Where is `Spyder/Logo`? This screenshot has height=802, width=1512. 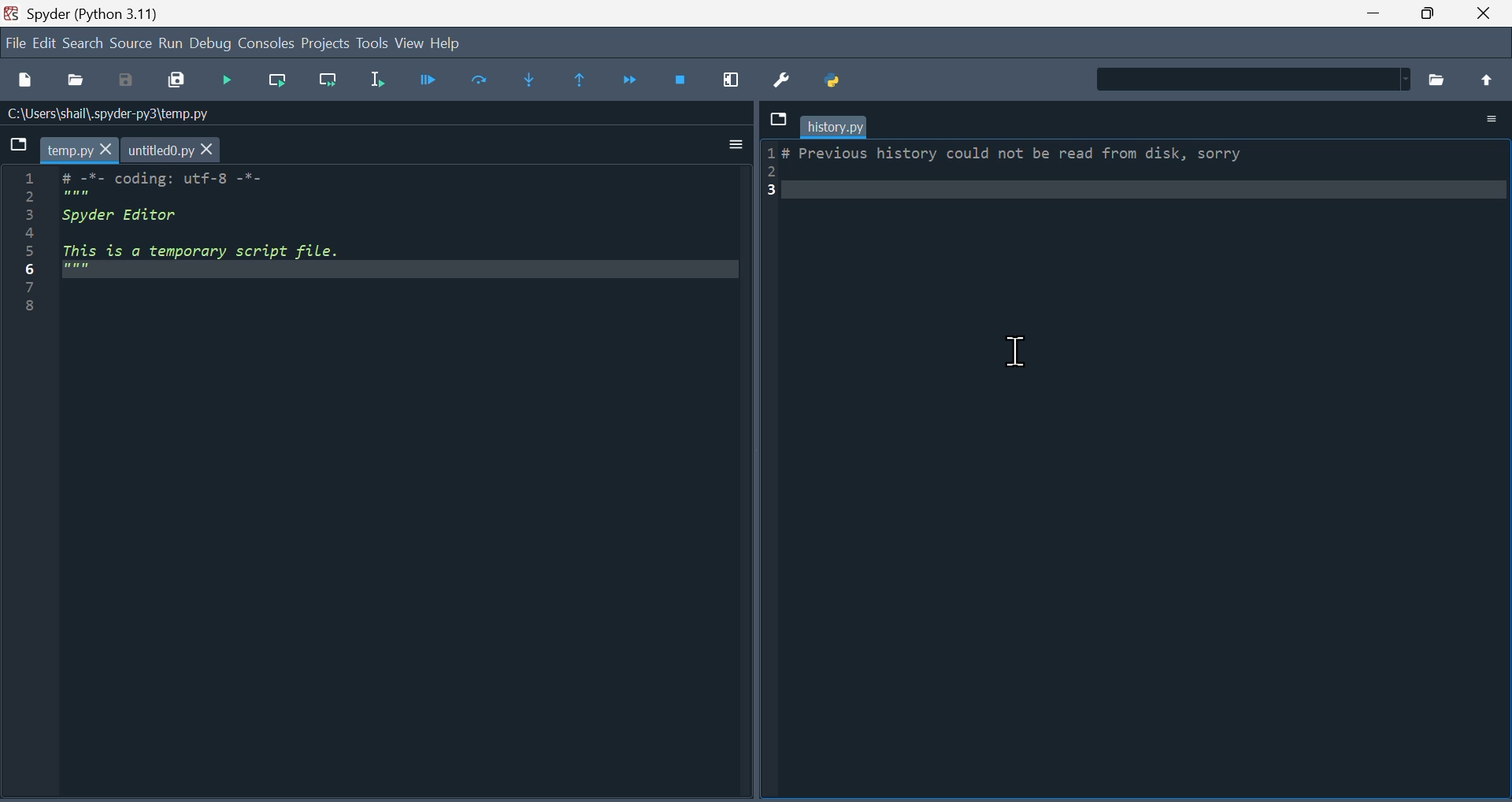 Spyder/Logo is located at coordinates (11, 13).